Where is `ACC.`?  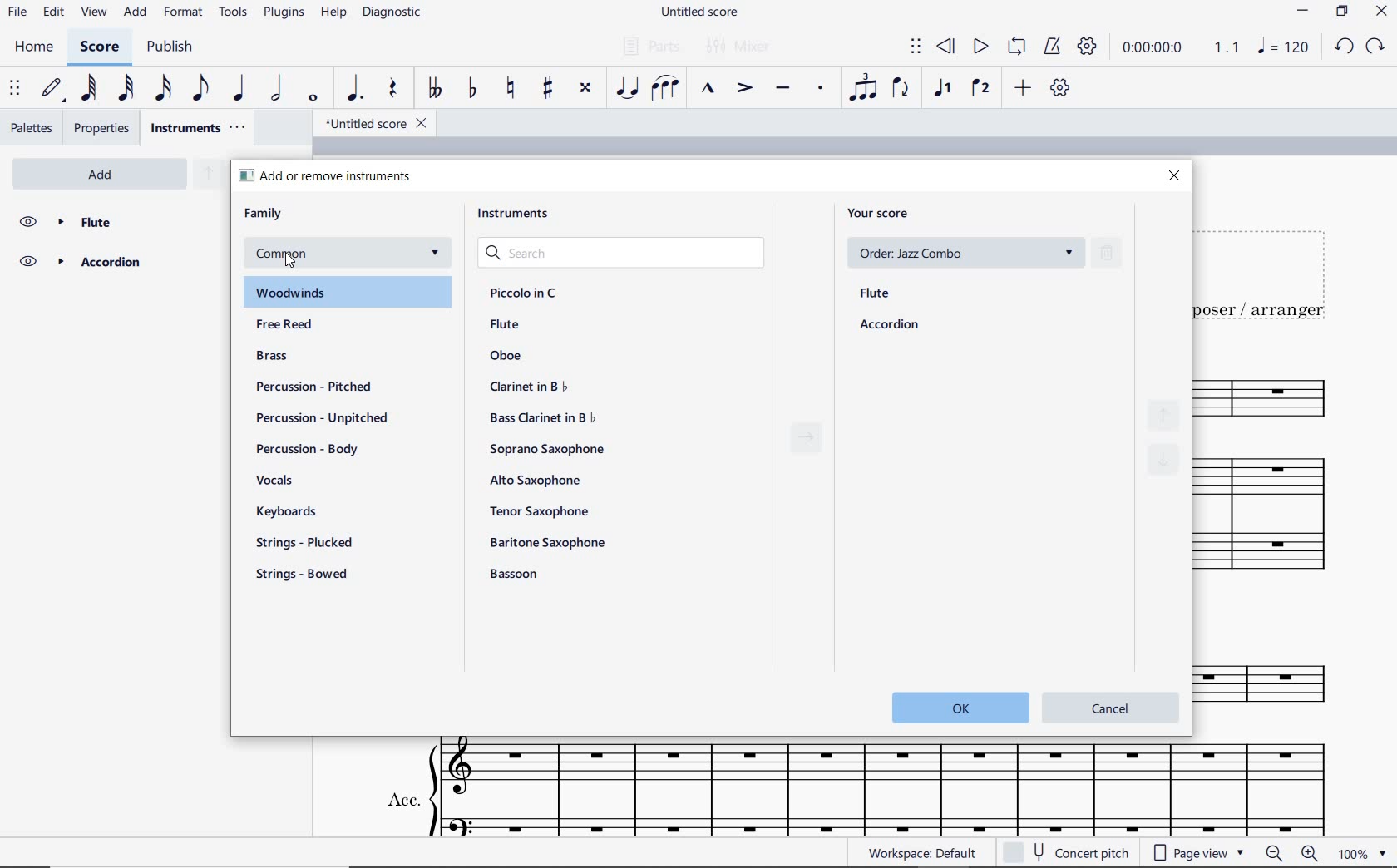
ACC. is located at coordinates (854, 788).